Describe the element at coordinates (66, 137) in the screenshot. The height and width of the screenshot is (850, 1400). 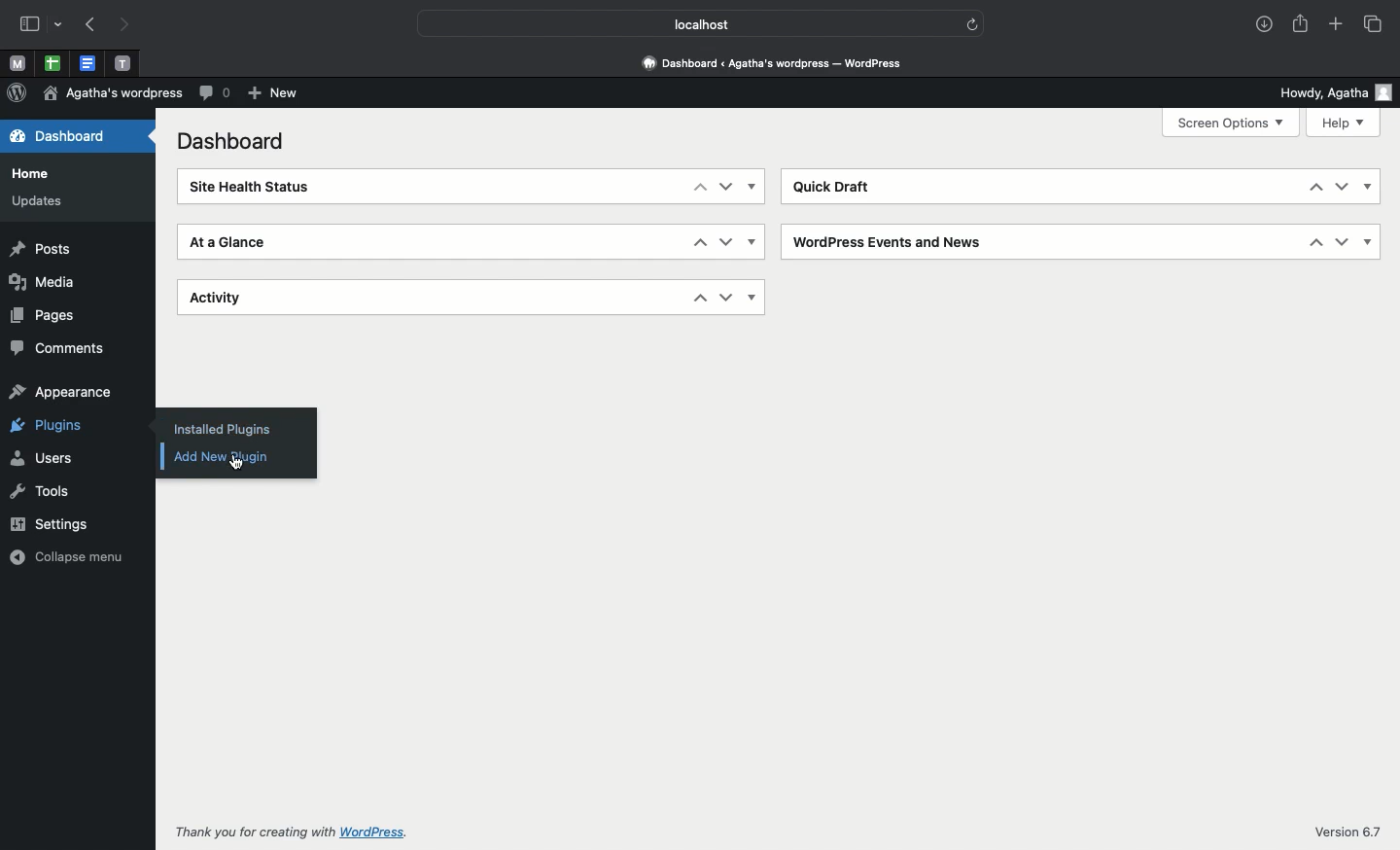
I see `Dashboard` at that location.